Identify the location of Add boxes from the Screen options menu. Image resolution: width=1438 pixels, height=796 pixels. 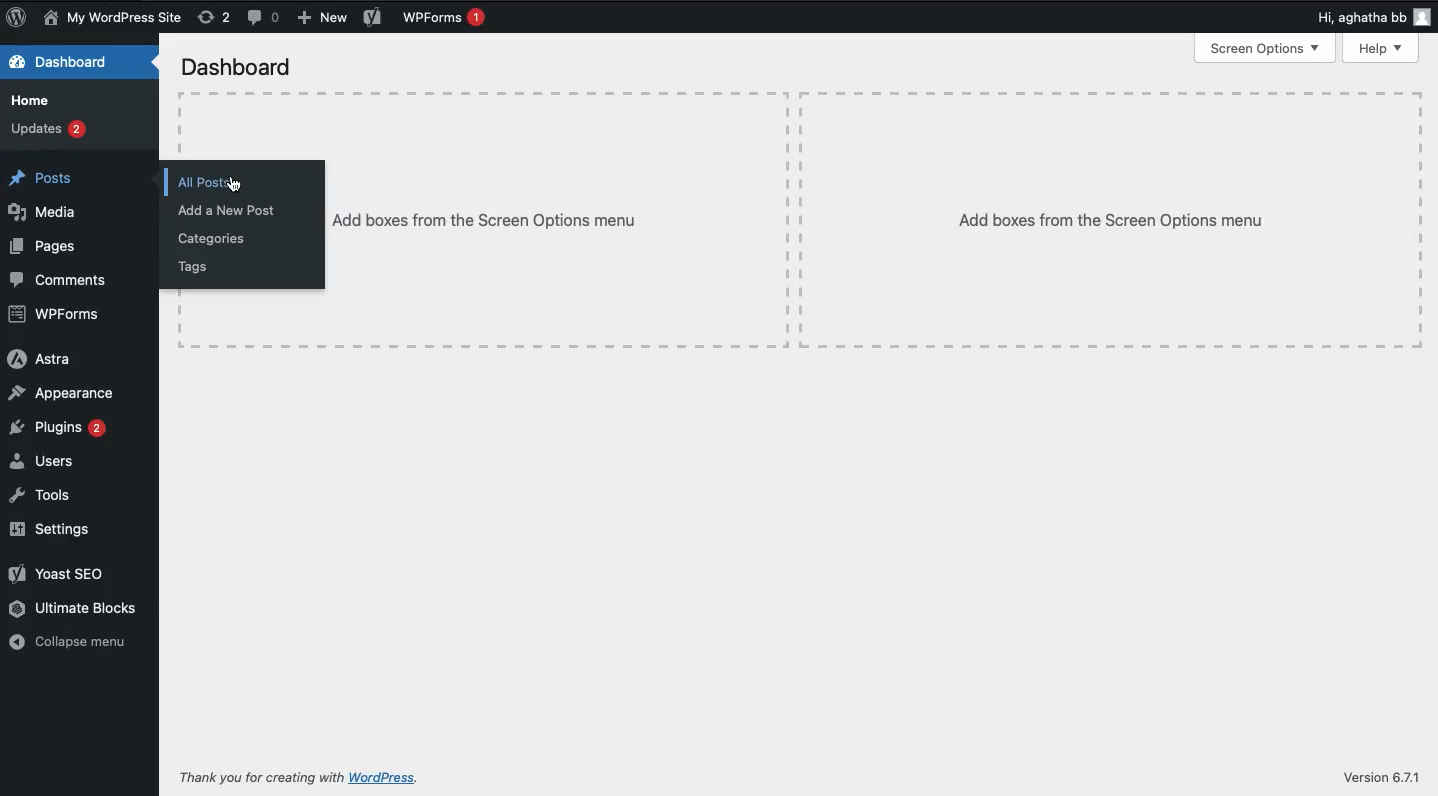
(483, 222).